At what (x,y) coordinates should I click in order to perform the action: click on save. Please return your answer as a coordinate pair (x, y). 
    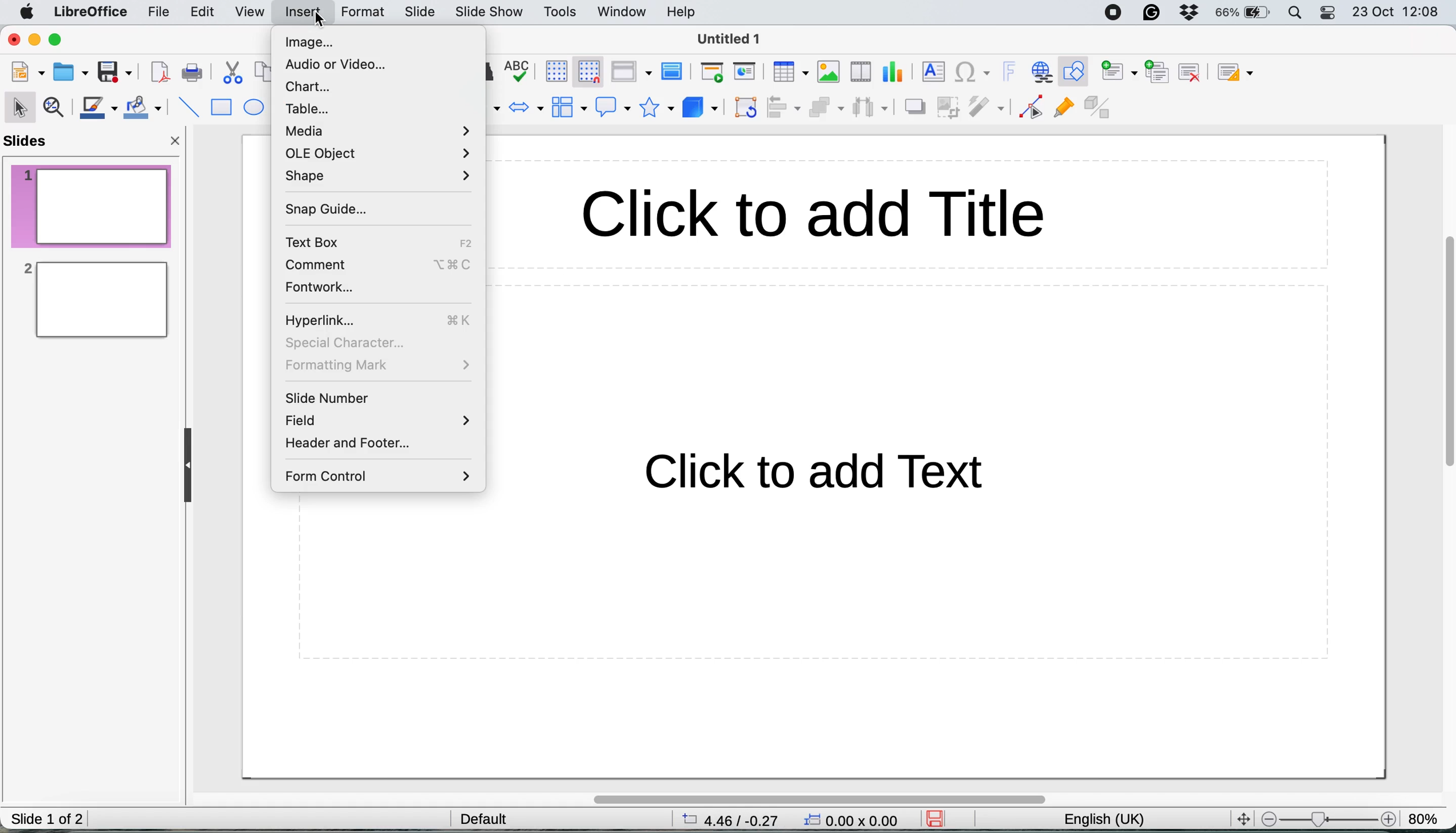
    Looking at the image, I should click on (115, 72).